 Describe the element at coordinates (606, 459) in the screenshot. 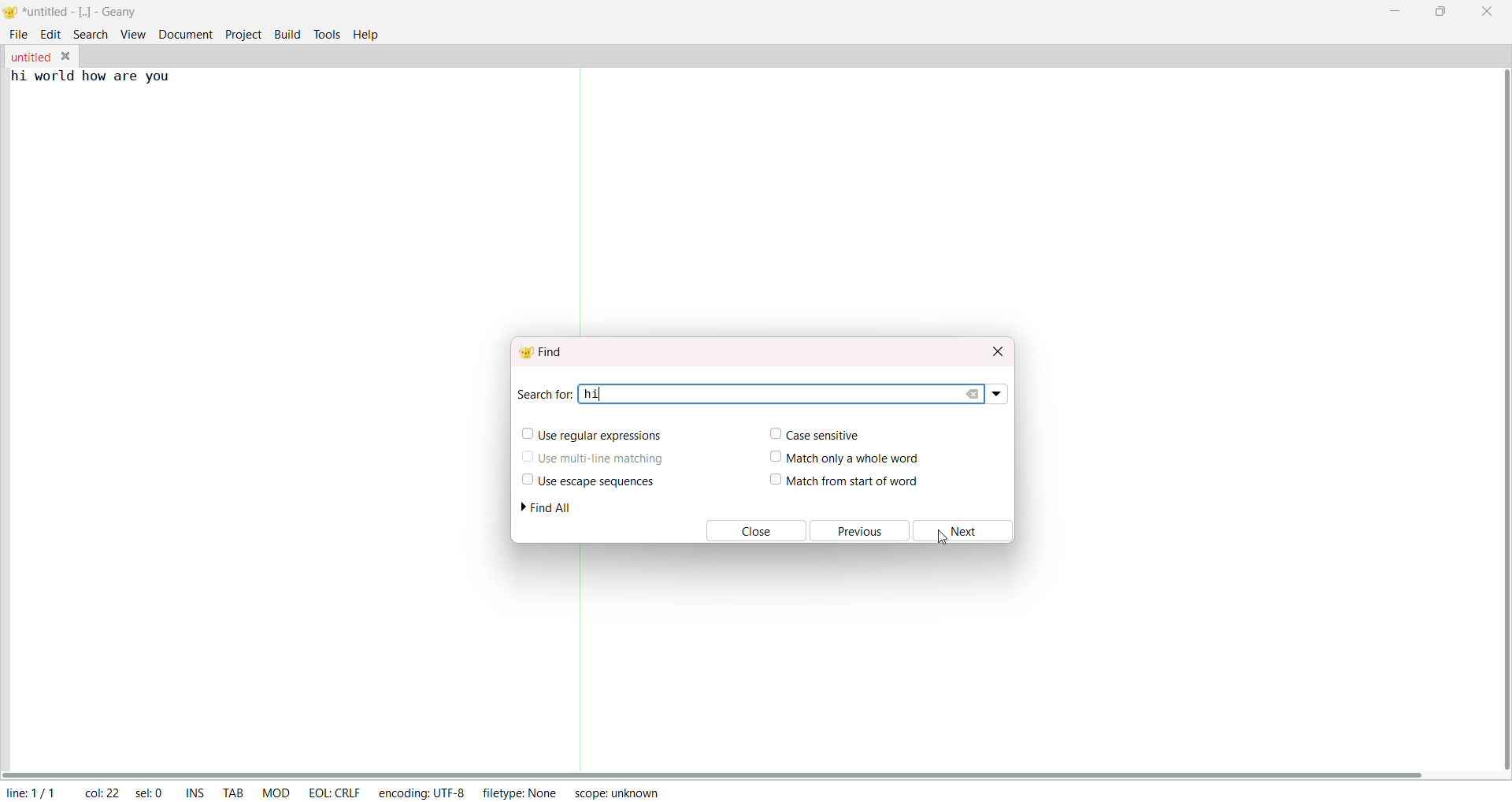

I see `use multiline matching` at that location.